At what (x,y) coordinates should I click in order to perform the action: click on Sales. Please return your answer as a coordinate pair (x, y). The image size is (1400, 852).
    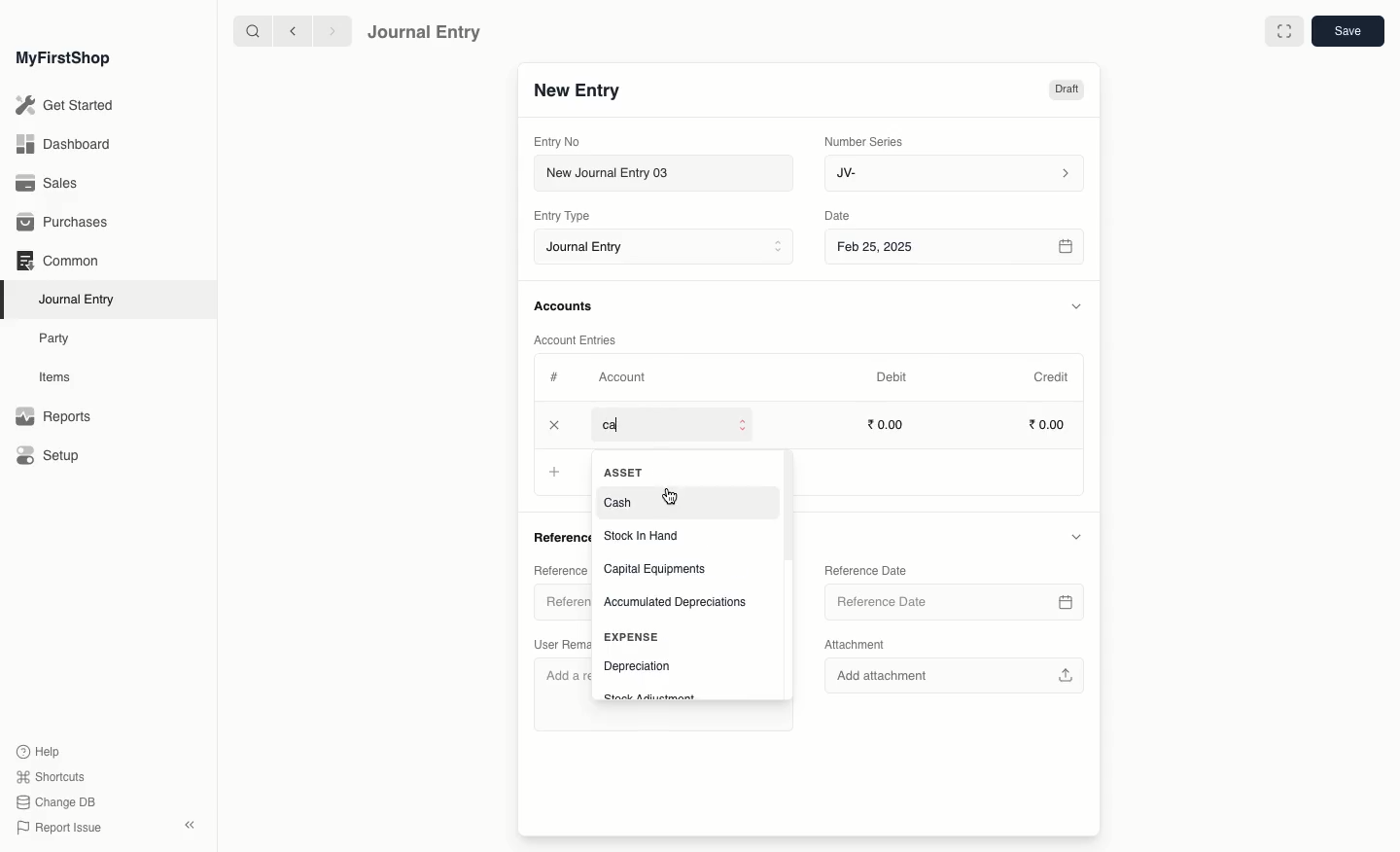
    Looking at the image, I should click on (48, 185).